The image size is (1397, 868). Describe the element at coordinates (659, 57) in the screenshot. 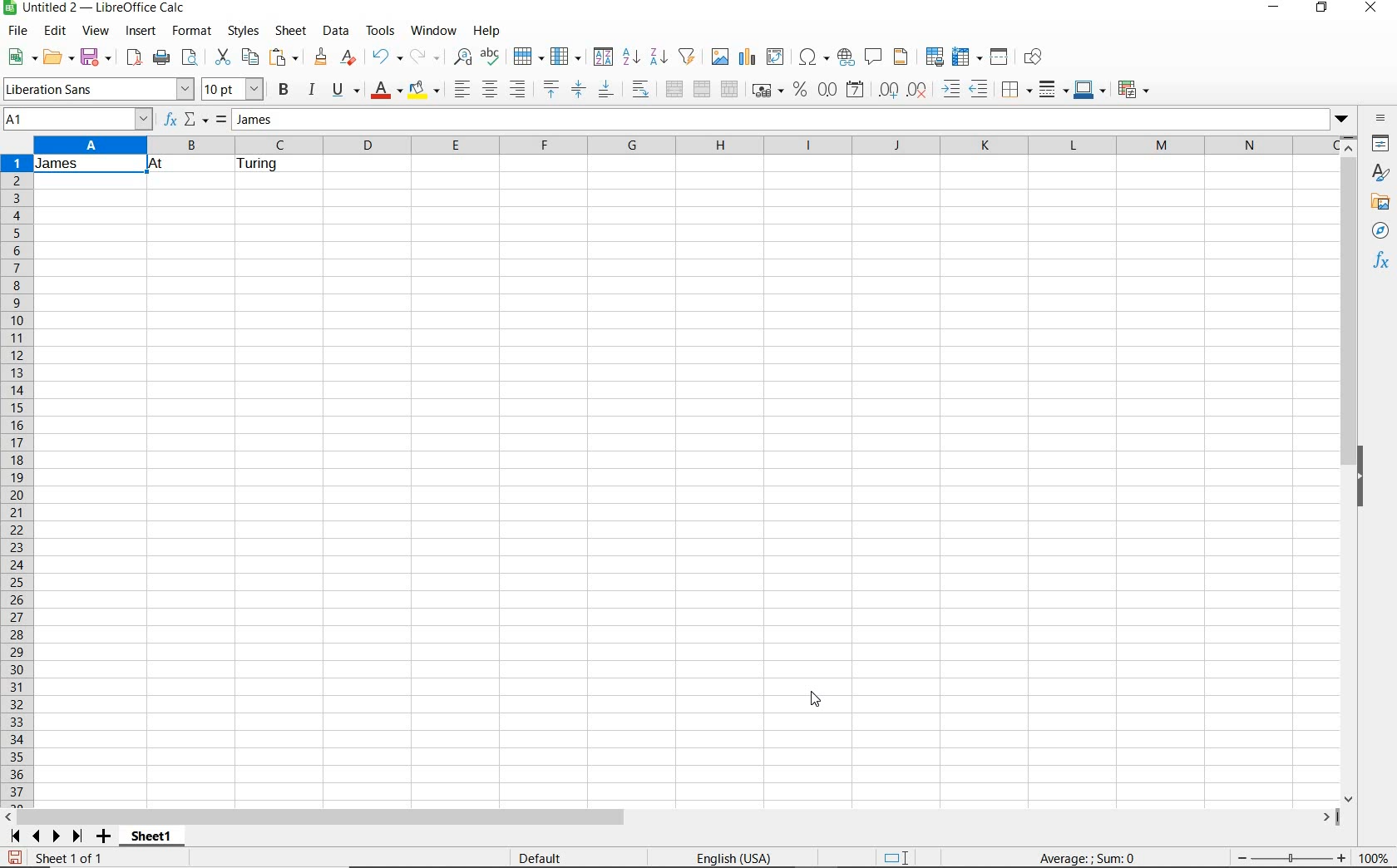

I see `sort descending` at that location.